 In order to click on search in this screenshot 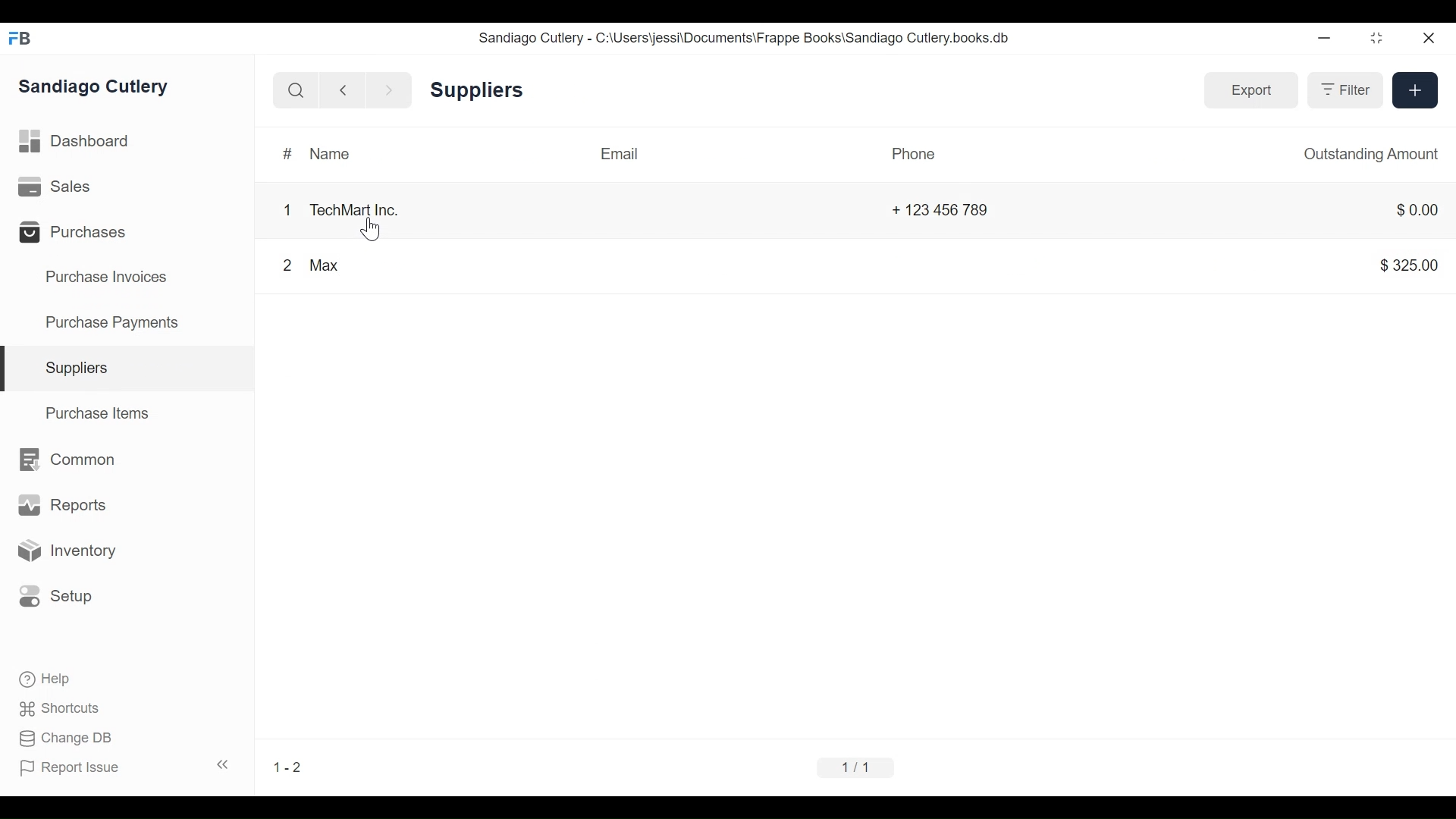, I will do `click(298, 92)`.